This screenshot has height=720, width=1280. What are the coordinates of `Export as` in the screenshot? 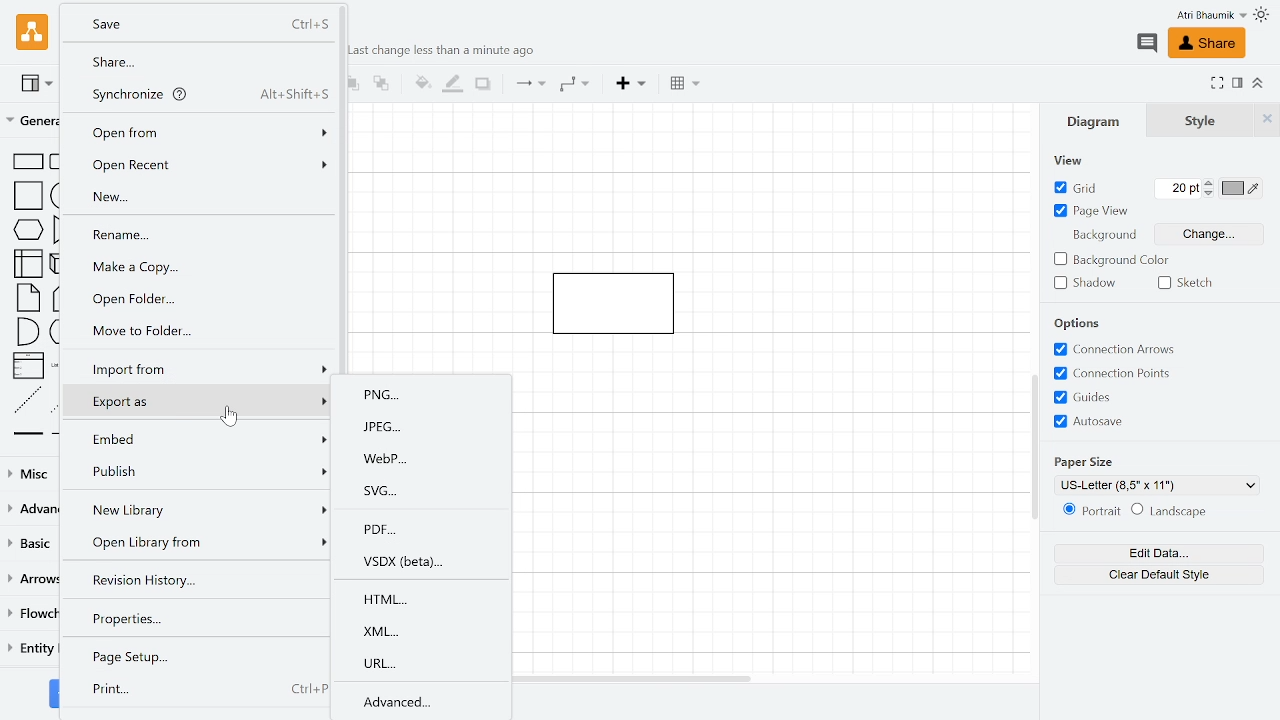 It's located at (197, 401).